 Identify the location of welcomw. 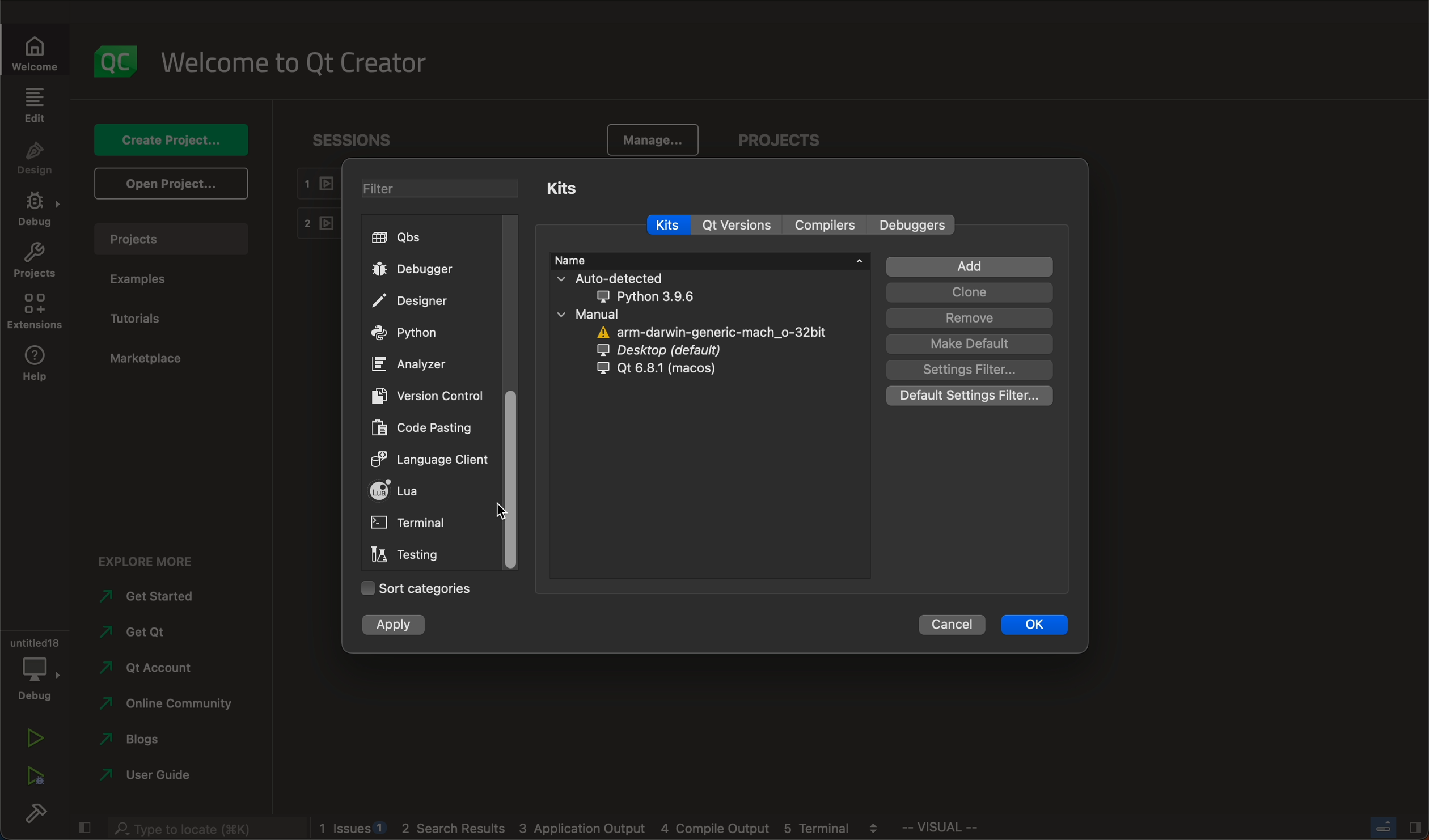
(39, 46).